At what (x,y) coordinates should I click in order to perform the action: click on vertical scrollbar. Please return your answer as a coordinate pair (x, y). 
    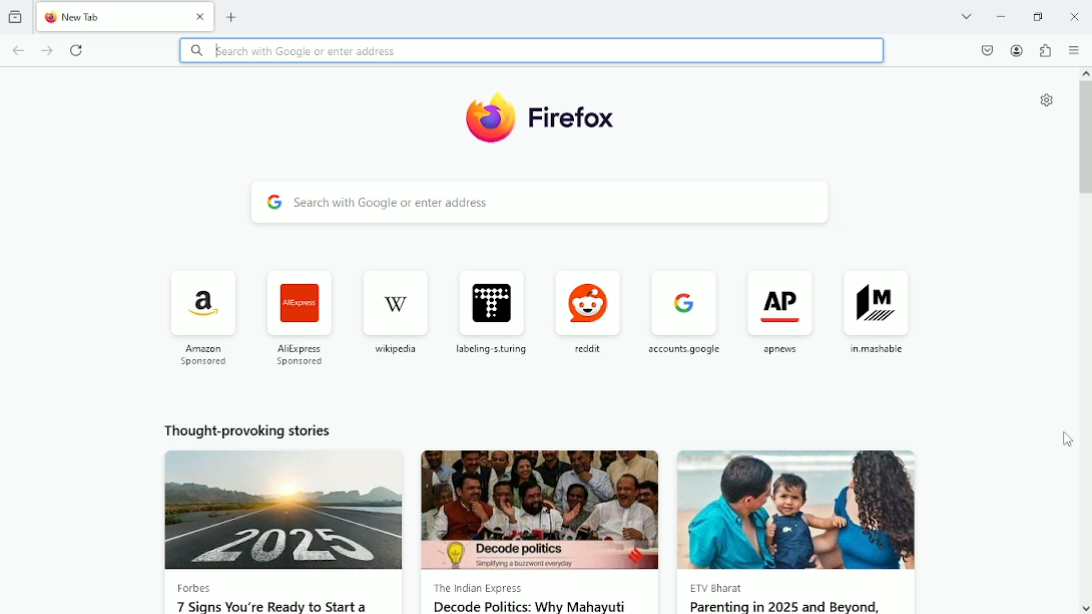
    Looking at the image, I should click on (1085, 133).